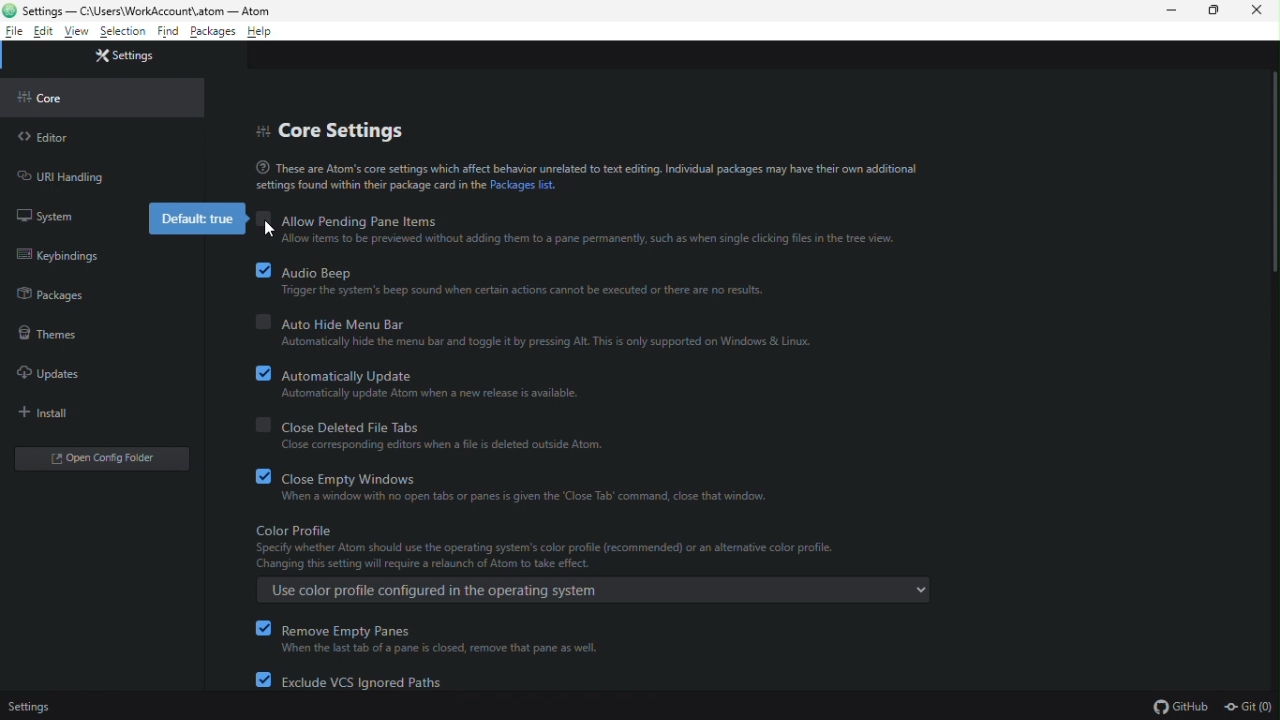 Image resolution: width=1280 pixels, height=720 pixels. I want to click on URL handling, so click(66, 177).